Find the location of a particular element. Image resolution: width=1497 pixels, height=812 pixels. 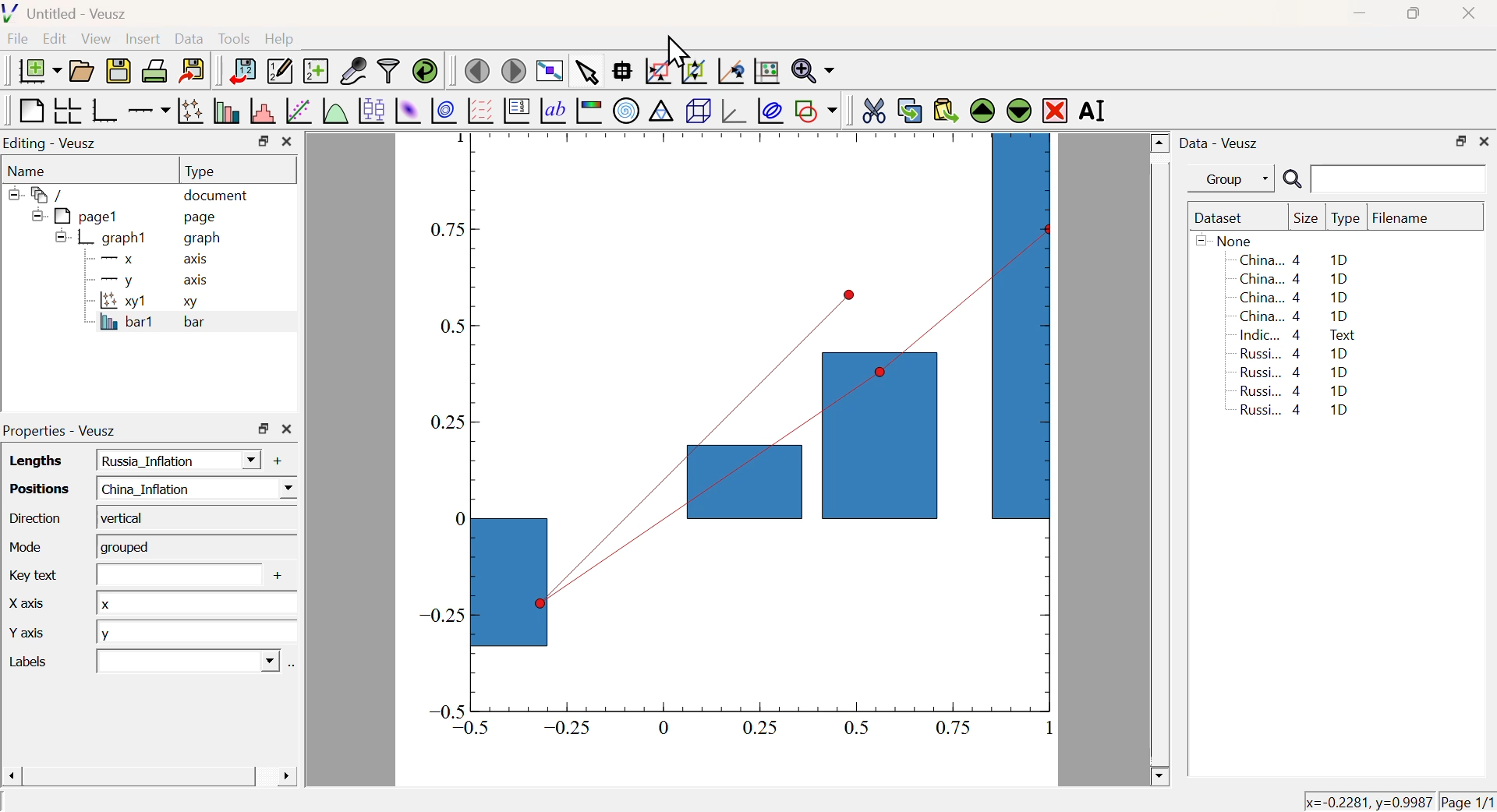

Mode is located at coordinates (23, 545).